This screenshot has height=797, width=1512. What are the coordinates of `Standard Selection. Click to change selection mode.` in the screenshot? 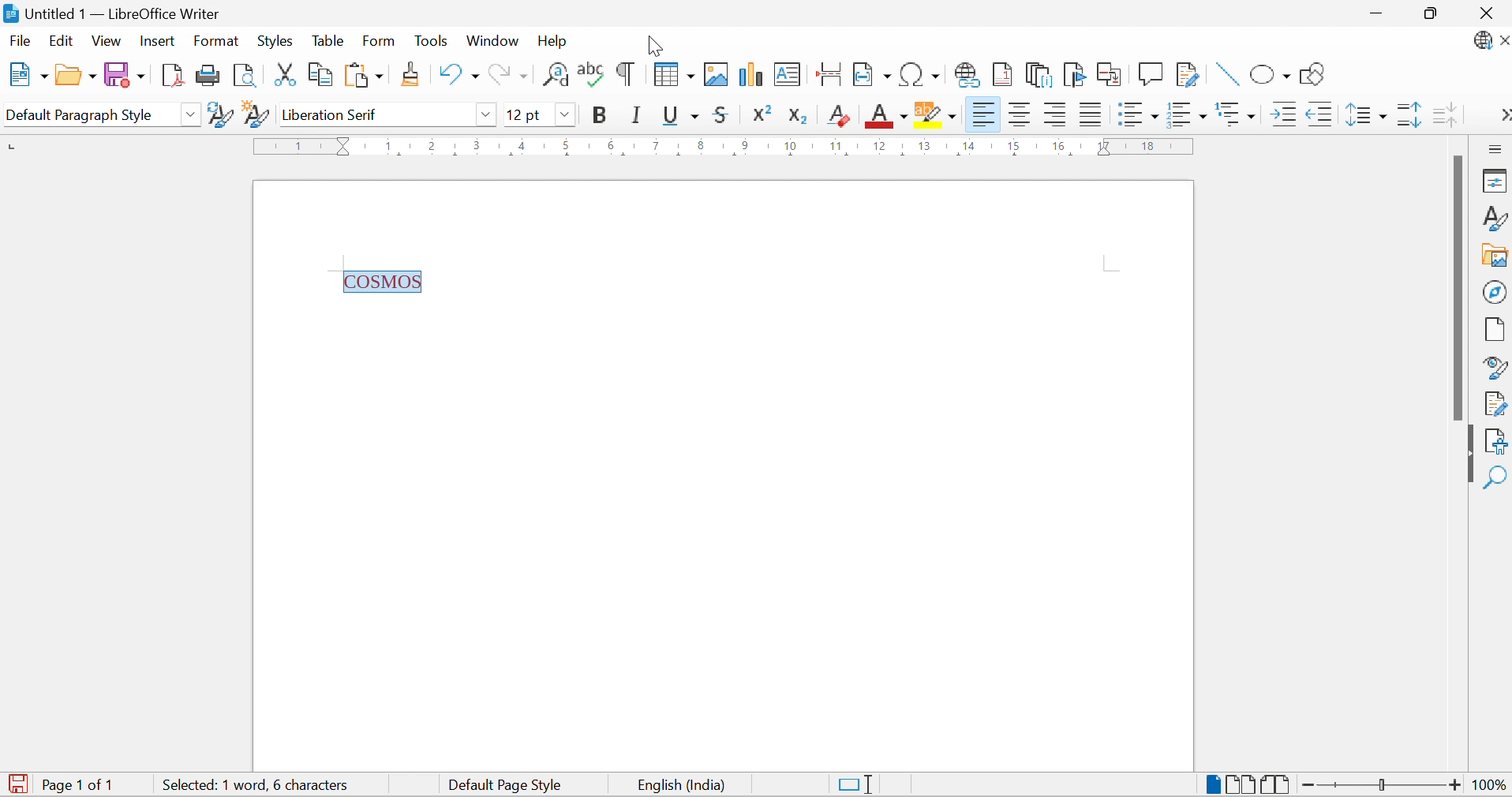 It's located at (859, 784).